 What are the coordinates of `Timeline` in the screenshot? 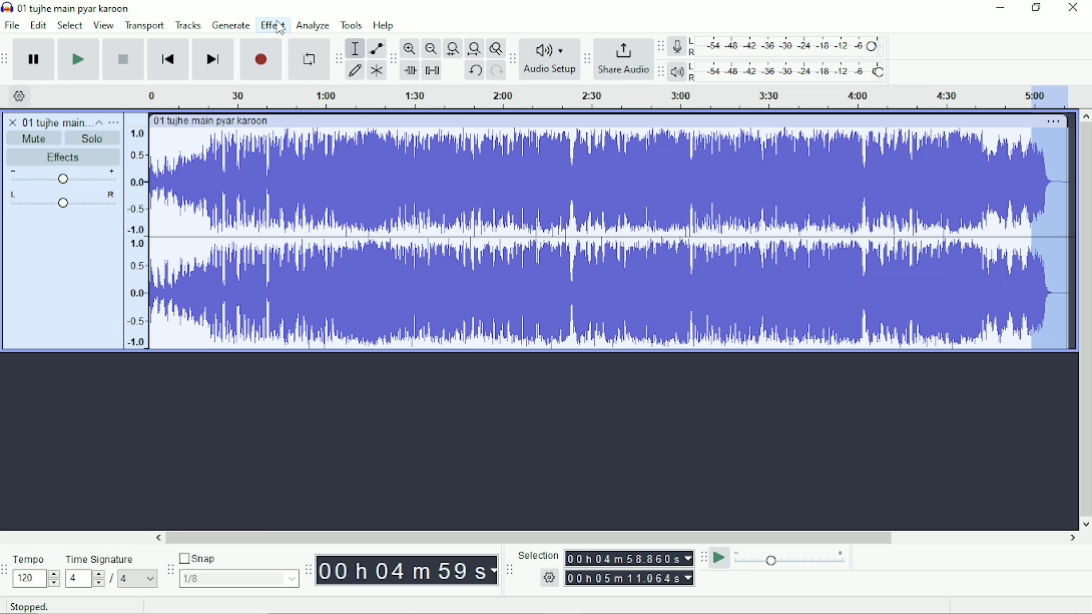 It's located at (615, 96).